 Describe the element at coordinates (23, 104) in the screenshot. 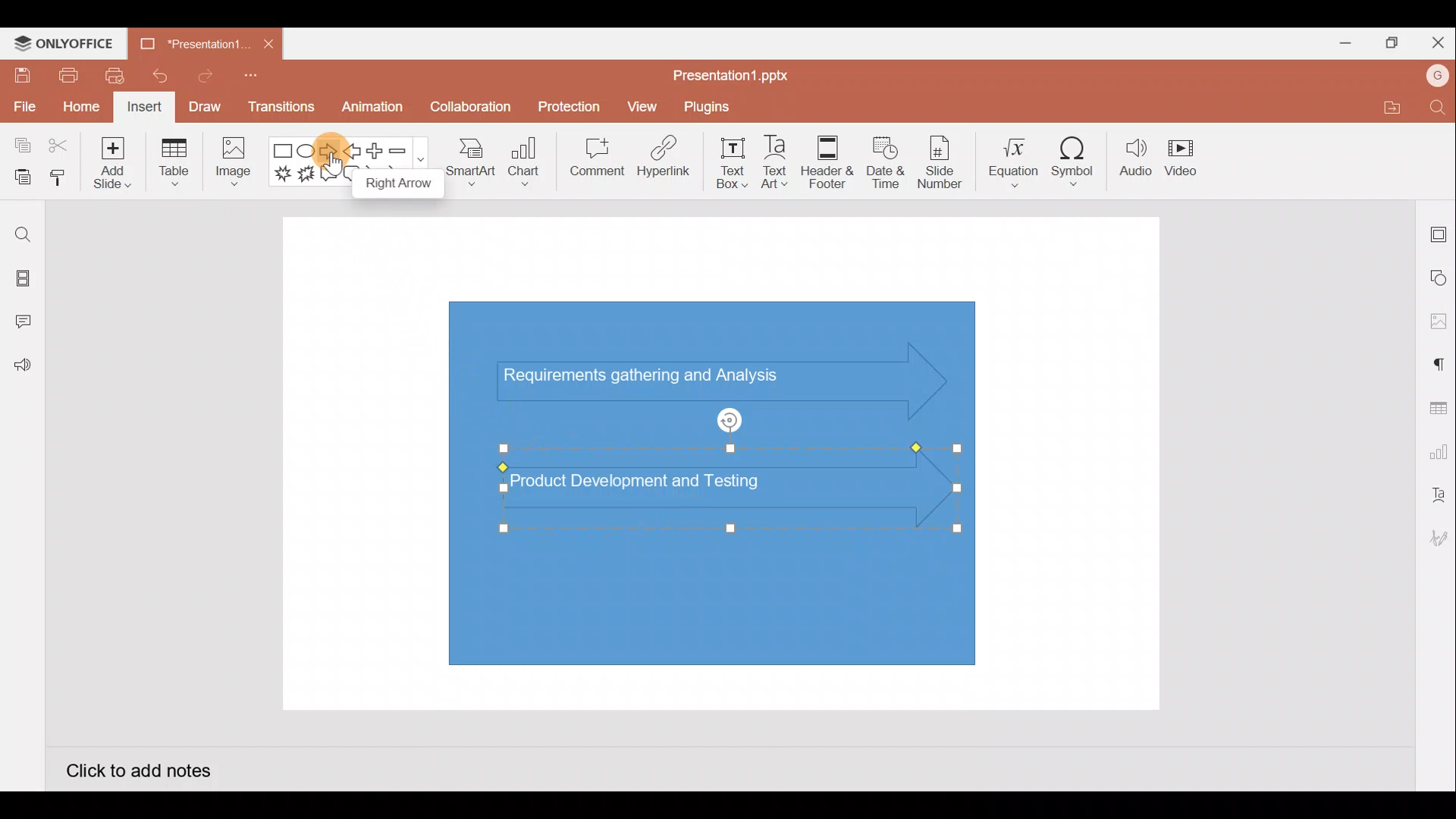

I see `File` at that location.